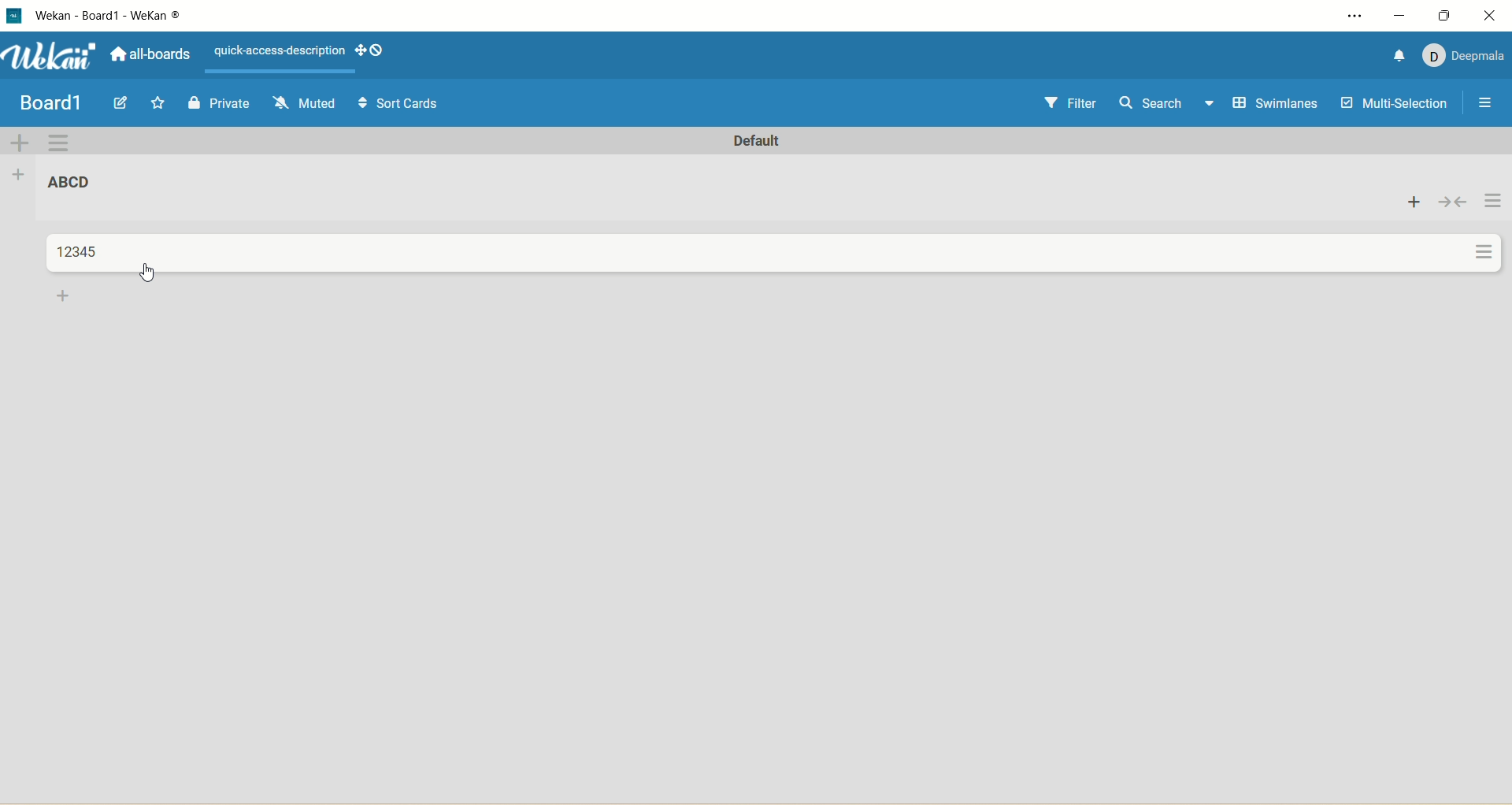 The height and width of the screenshot is (805, 1512). What do you see at coordinates (83, 252) in the screenshot?
I see `title` at bounding box center [83, 252].